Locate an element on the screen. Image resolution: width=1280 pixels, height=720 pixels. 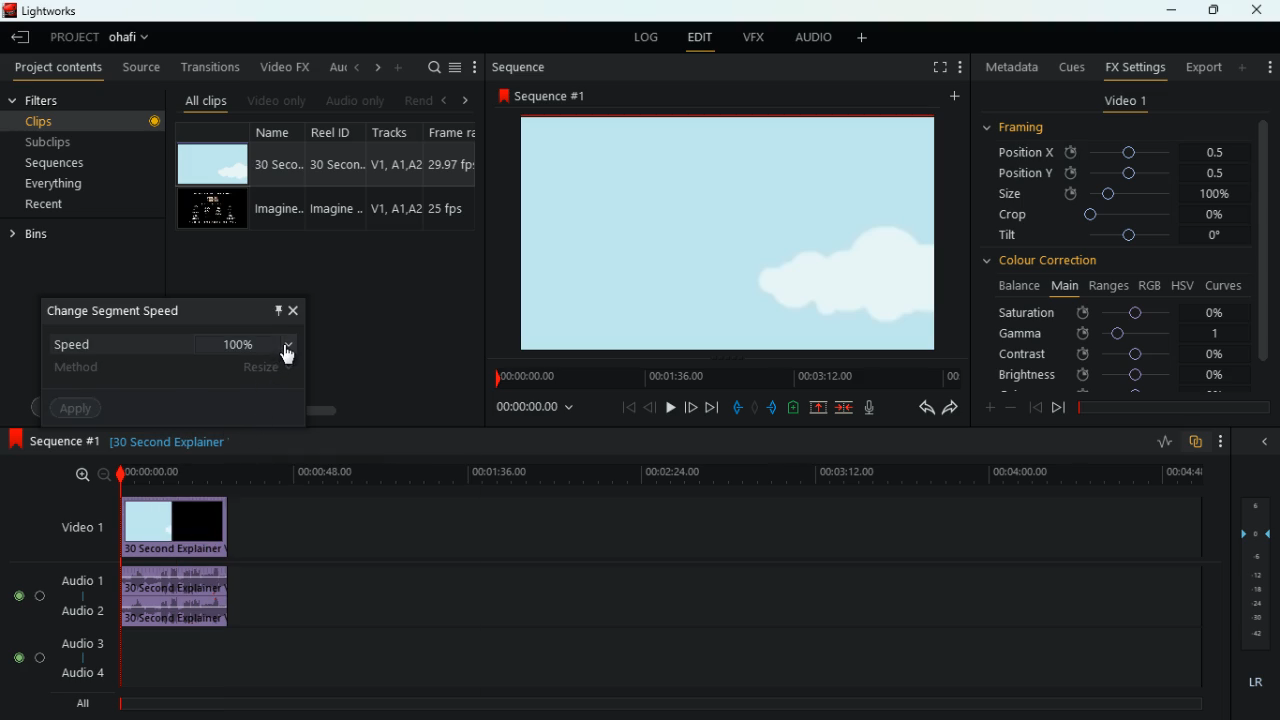
beggining is located at coordinates (622, 409).